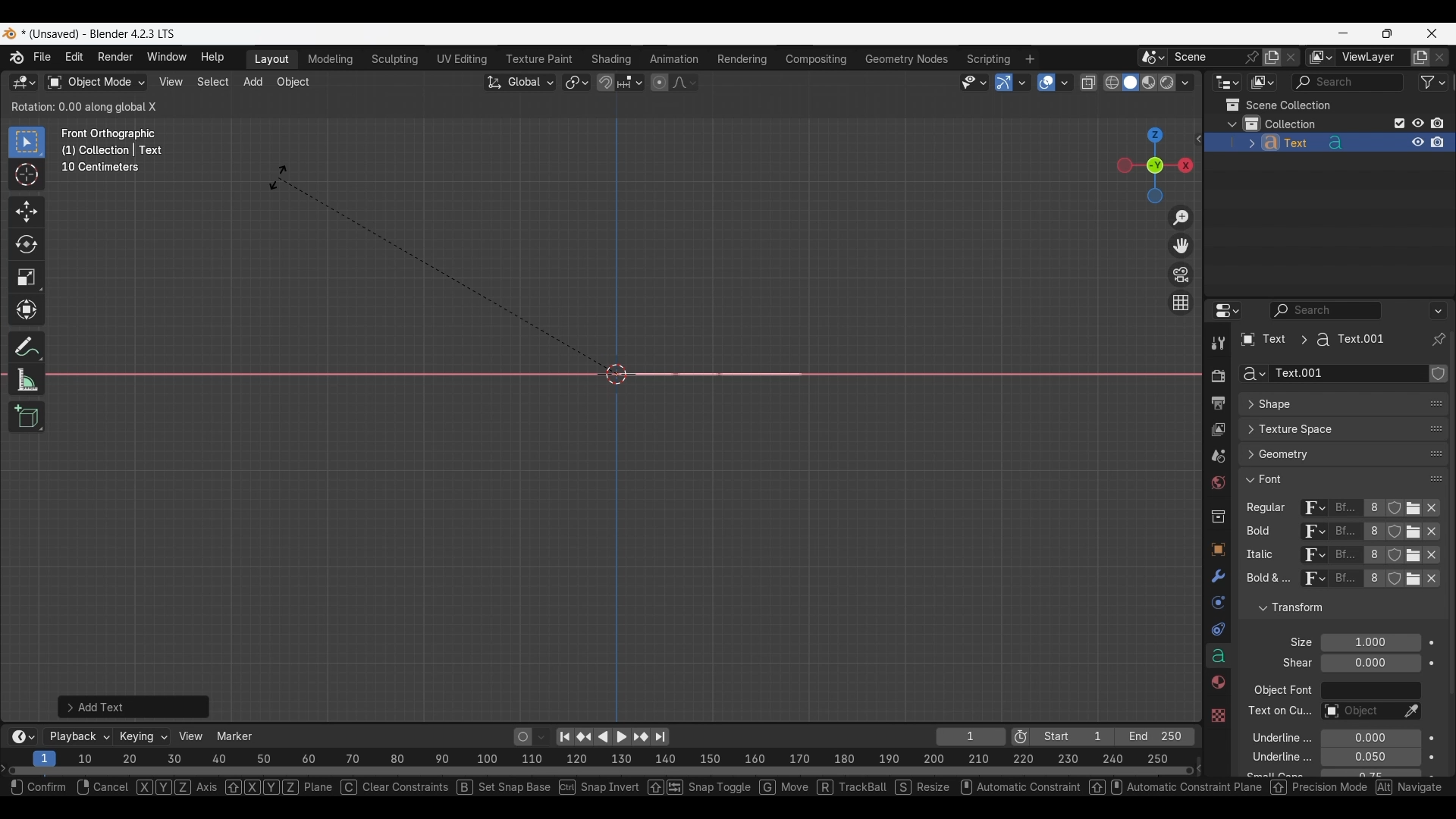 This screenshot has height=819, width=1456. I want to click on Modifiers, so click(1216, 577).